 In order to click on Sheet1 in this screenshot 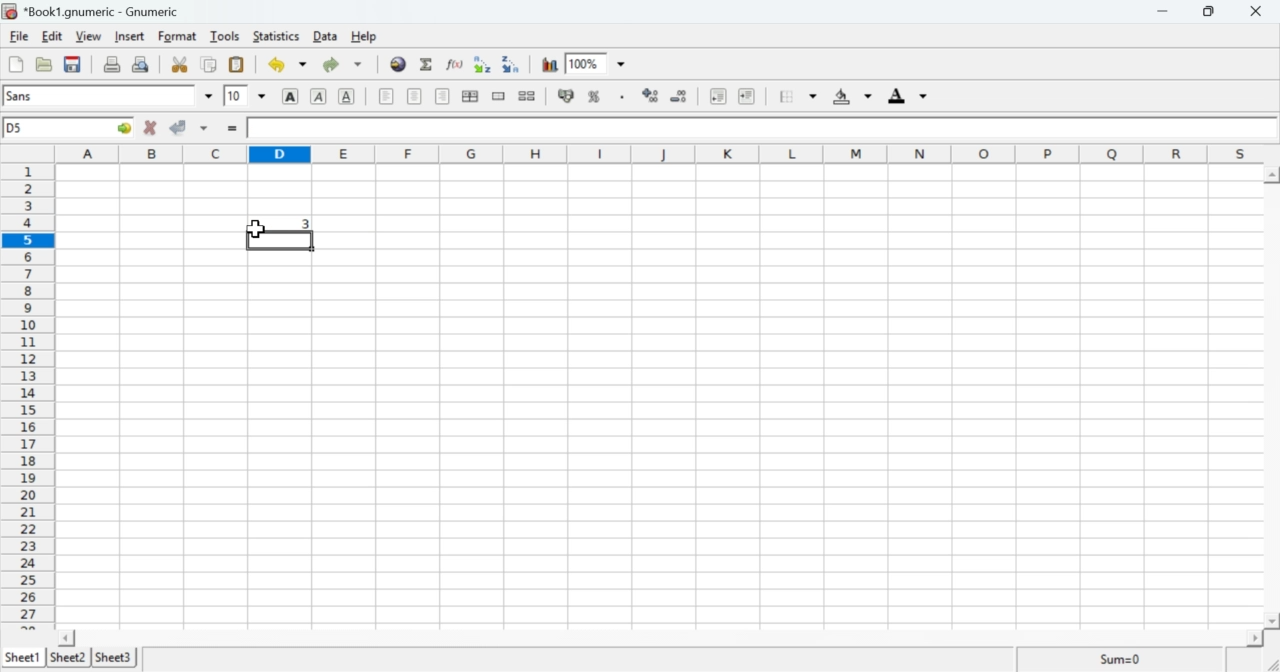, I will do `click(23, 658)`.